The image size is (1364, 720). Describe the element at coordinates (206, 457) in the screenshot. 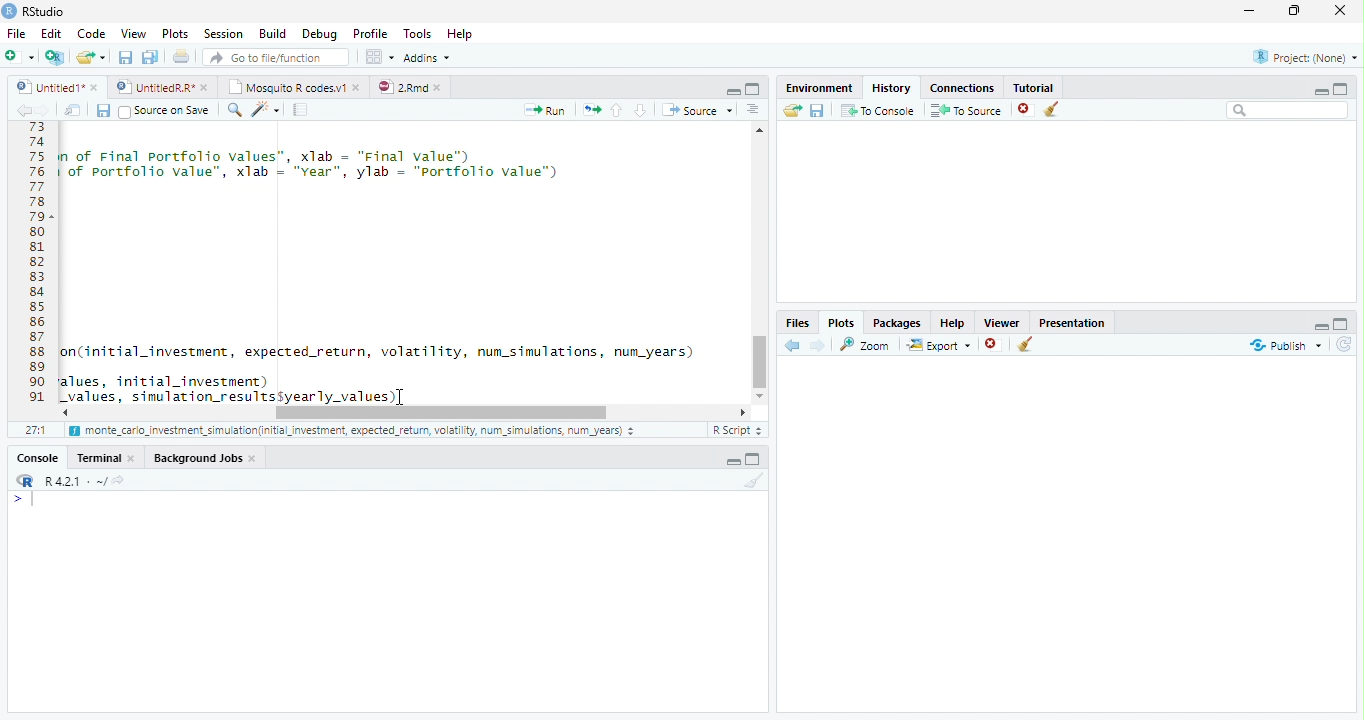

I see `Background Jobs.` at that location.